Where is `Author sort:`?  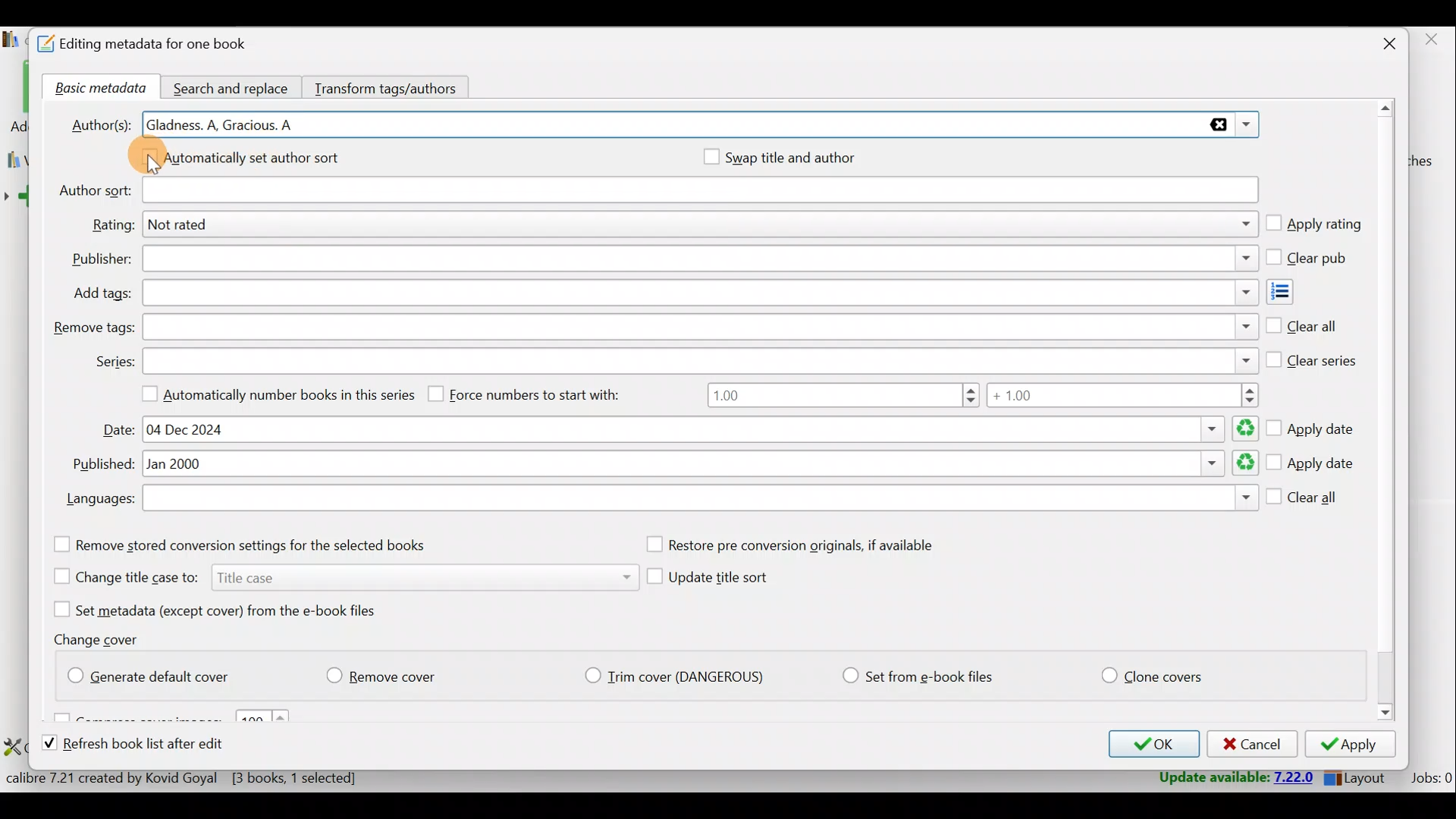
Author sort: is located at coordinates (93, 191).